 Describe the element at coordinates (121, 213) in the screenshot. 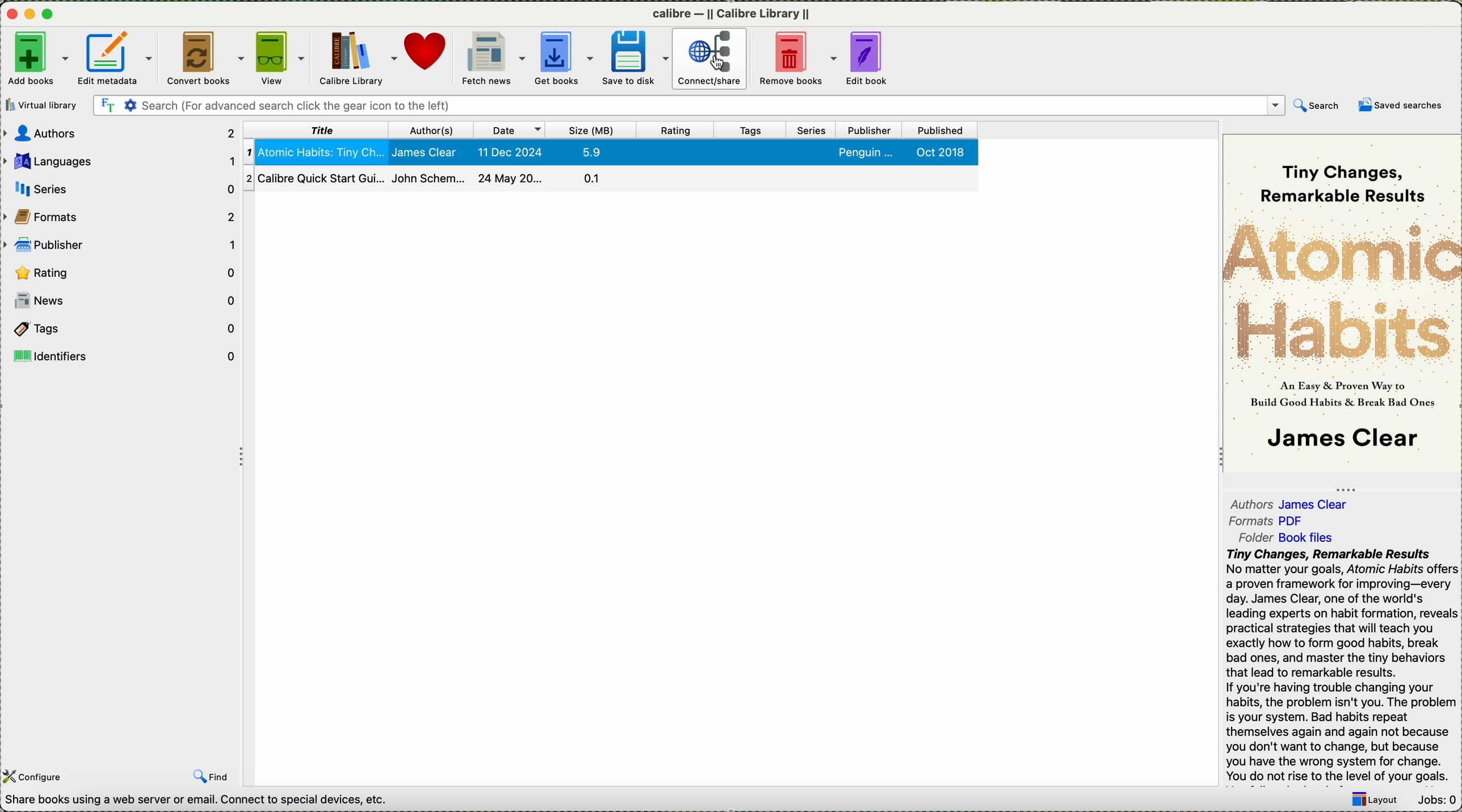

I see `formats` at that location.